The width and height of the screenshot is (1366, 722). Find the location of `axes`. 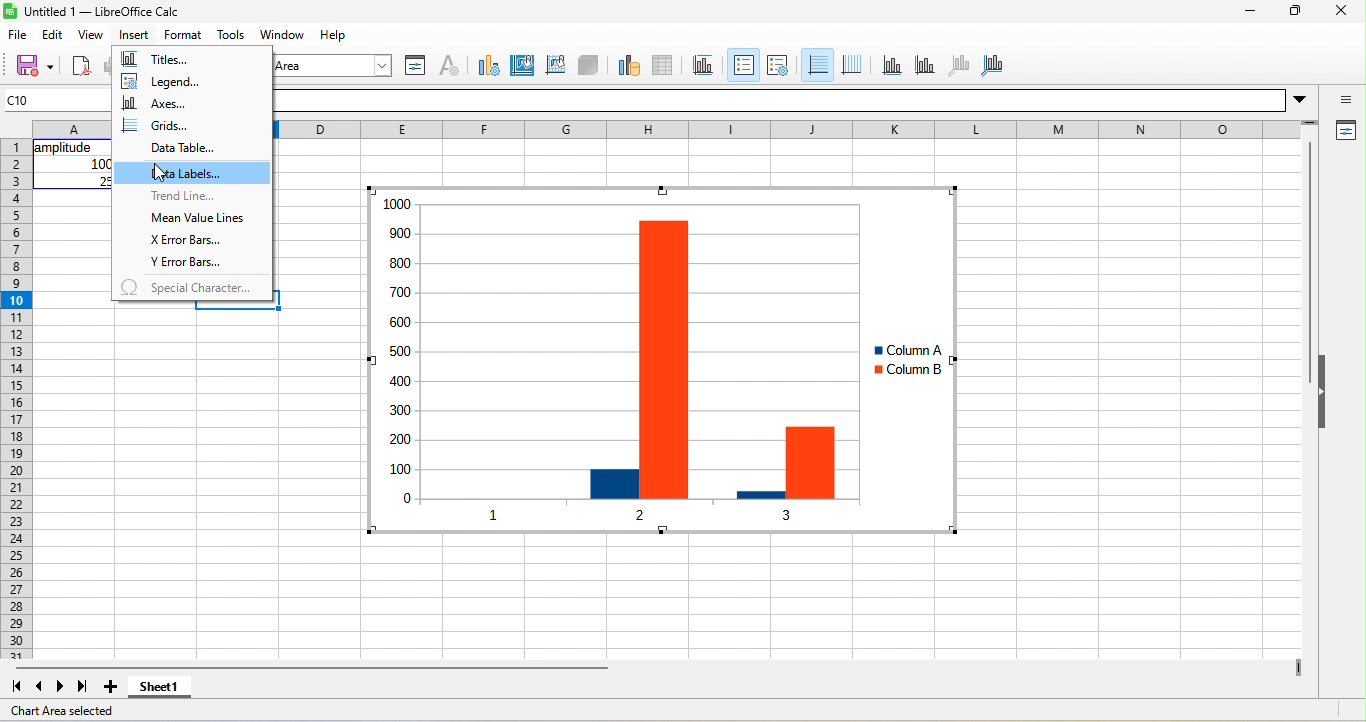

axes is located at coordinates (164, 103).